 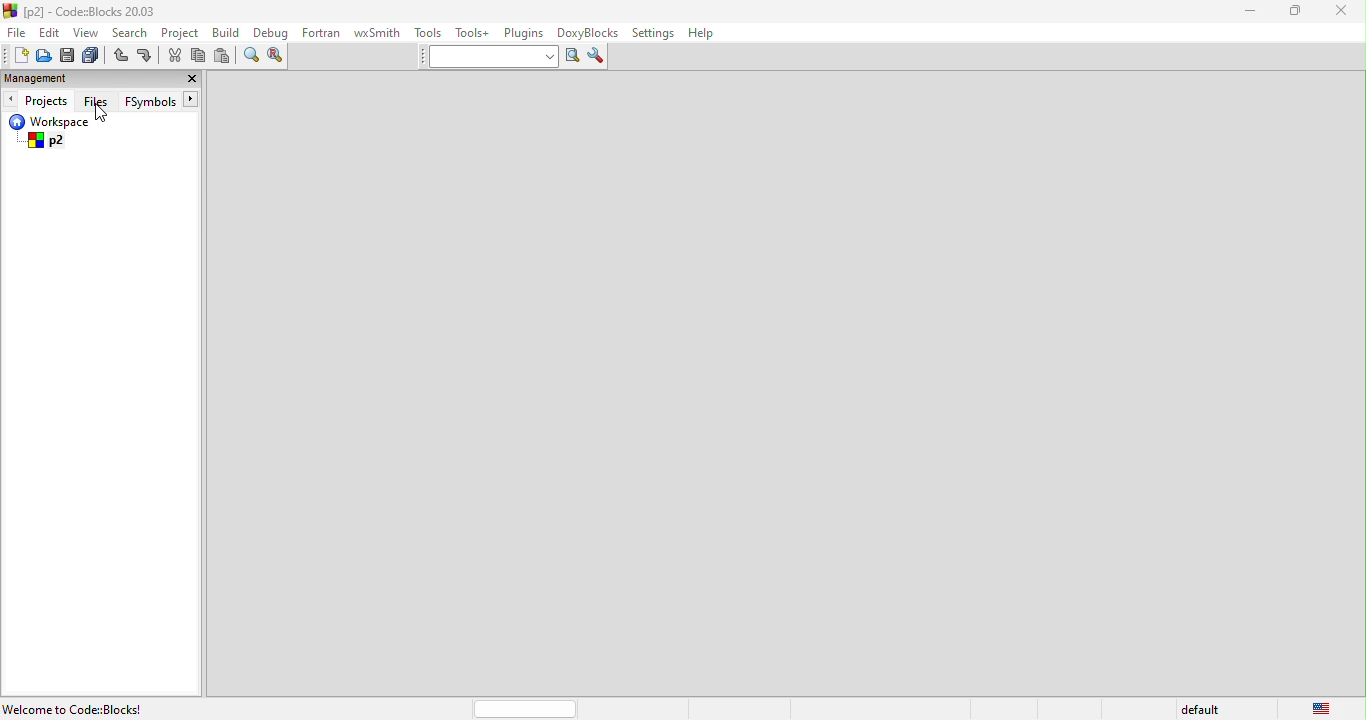 What do you see at coordinates (173, 56) in the screenshot?
I see `cut` at bounding box center [173, 56].